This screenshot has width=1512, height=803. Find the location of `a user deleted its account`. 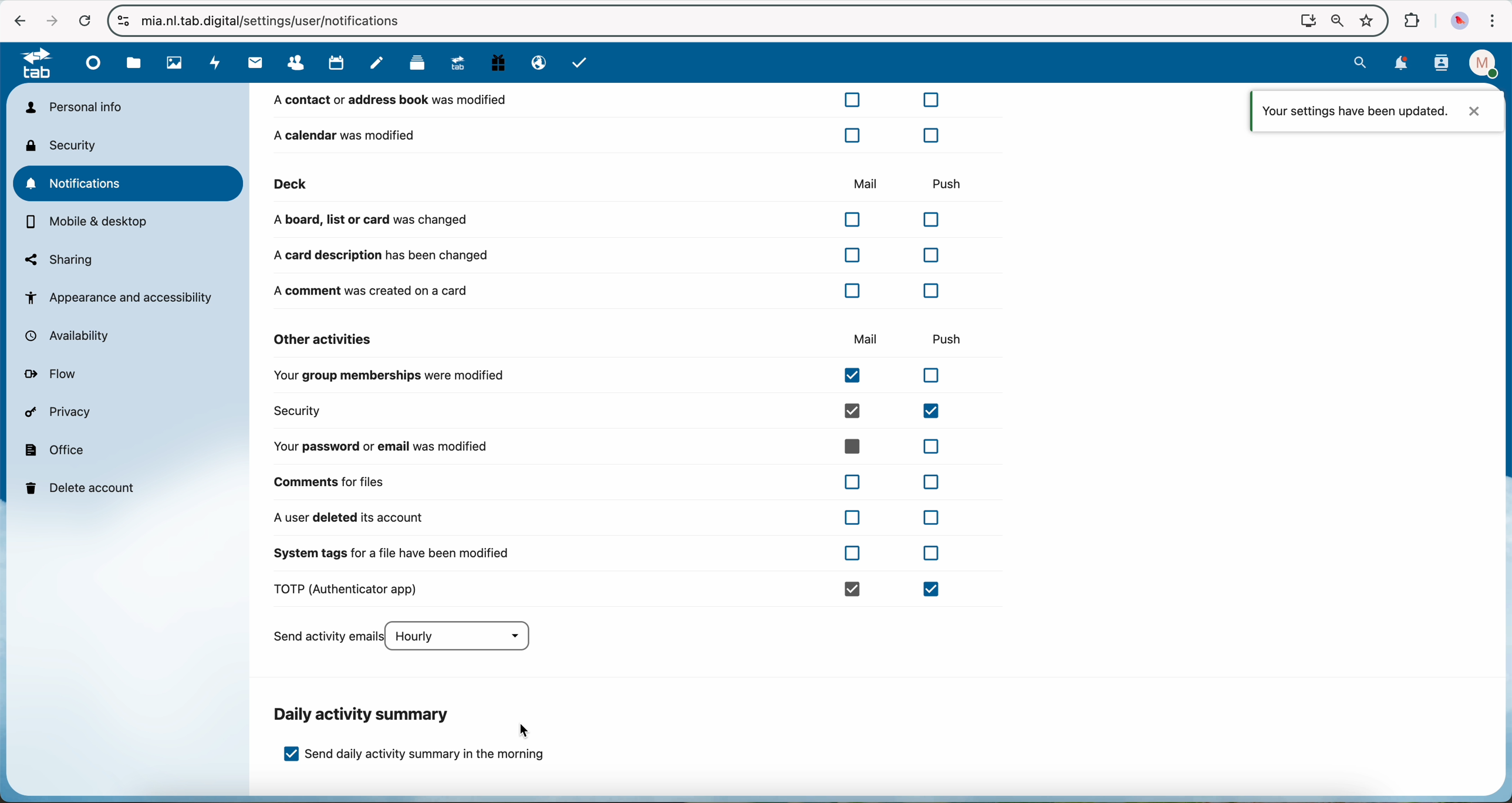

a user deleted its account is located at coordinates (606, 518).